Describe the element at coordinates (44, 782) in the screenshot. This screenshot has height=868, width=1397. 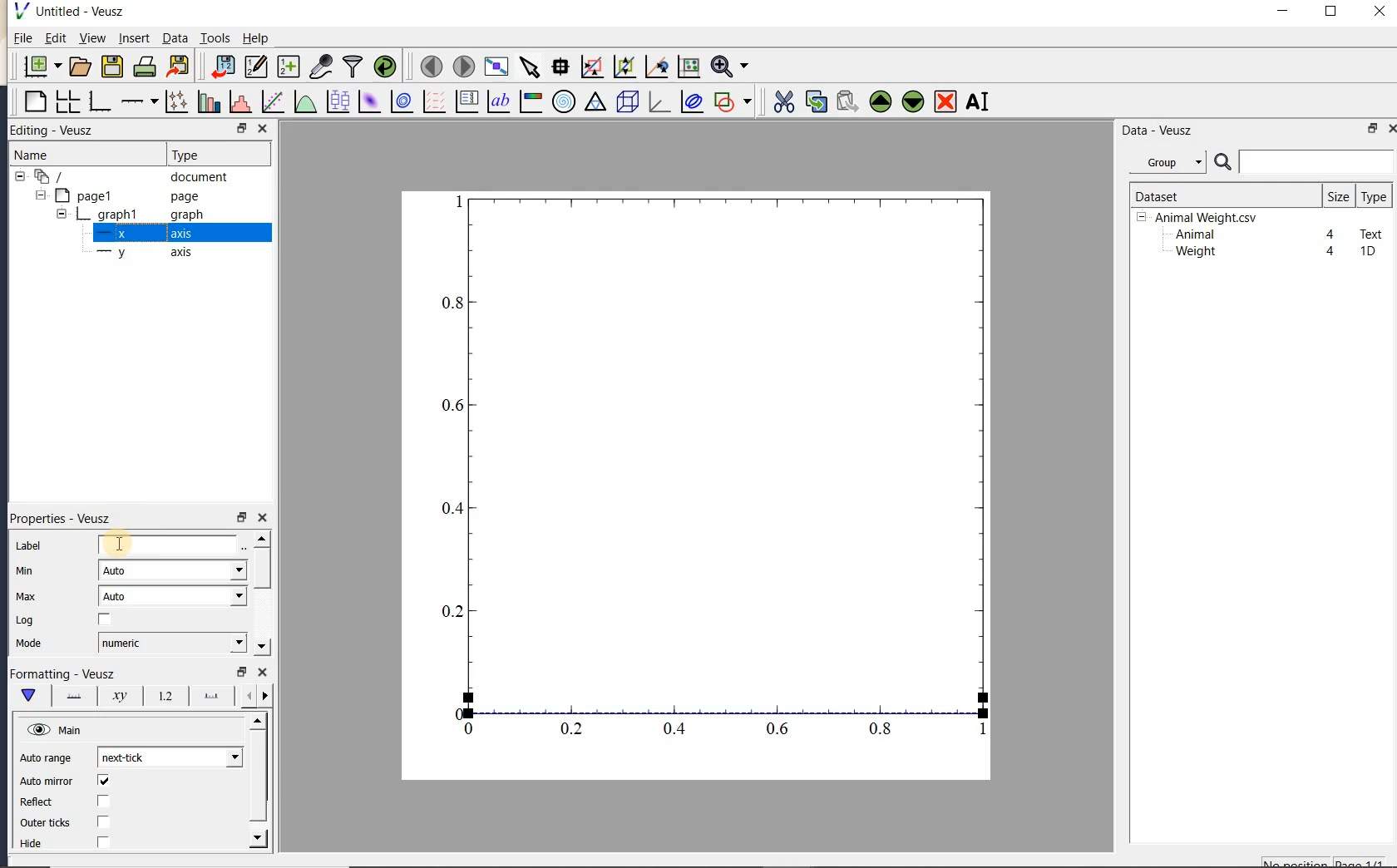
I see `Auto mirror` at that location.